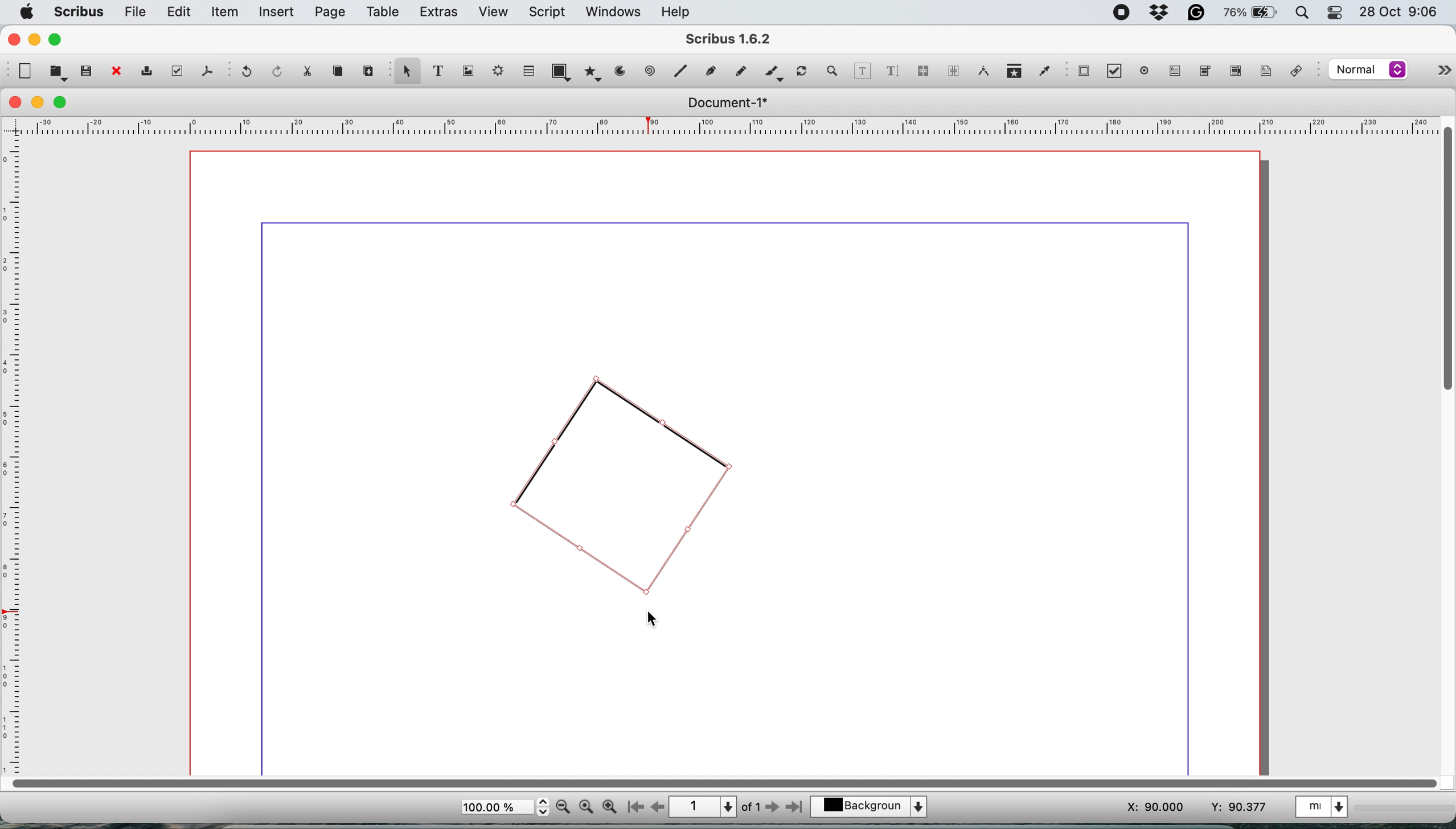 This screenshot has height=829, width=1456. What do you see at coordinates (715, 806) in the screenshot?
I see `page 1 of 1` at bounding box center [715, 806].